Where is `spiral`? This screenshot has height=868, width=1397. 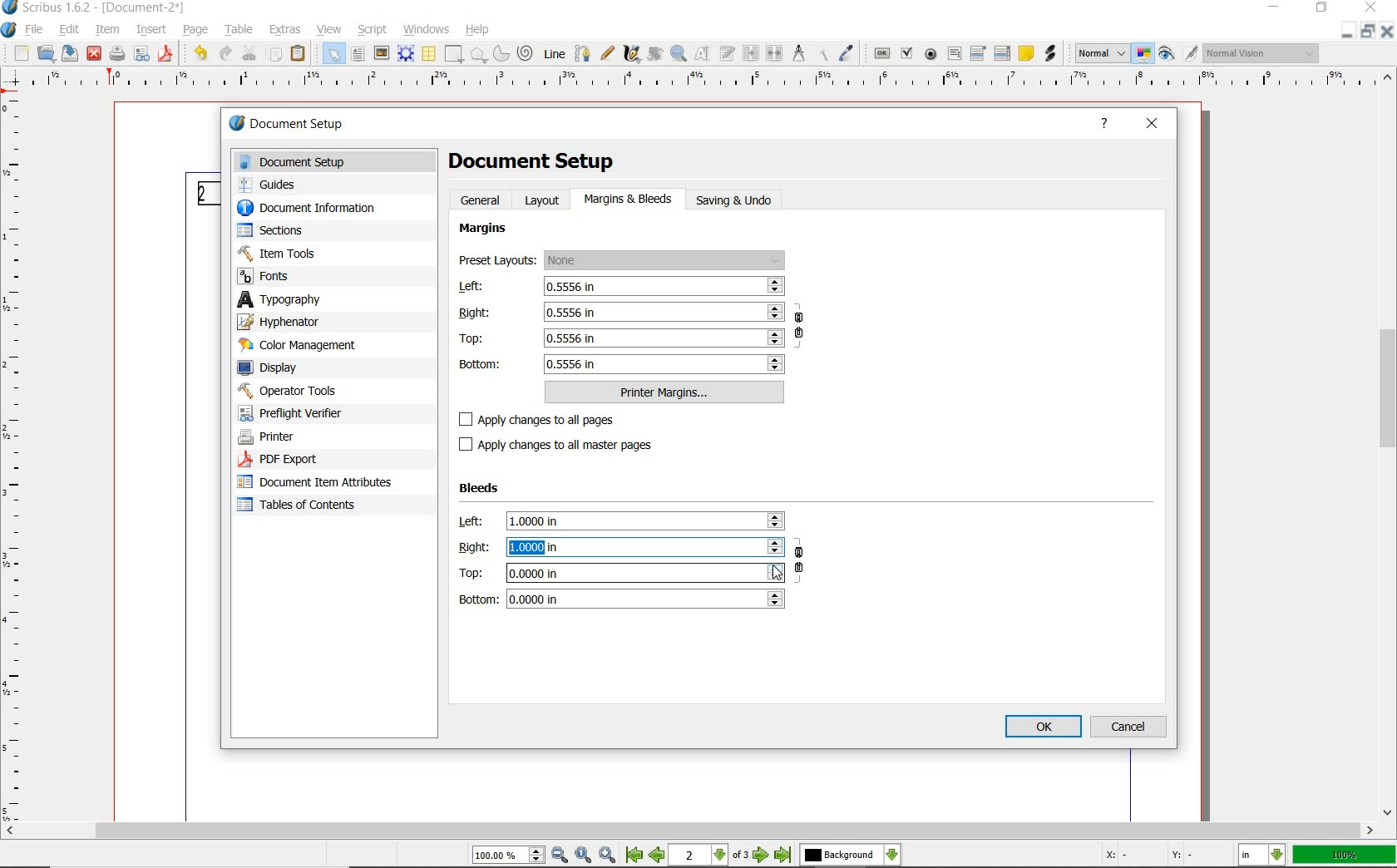 spiral is located at coordinates (525, 52).